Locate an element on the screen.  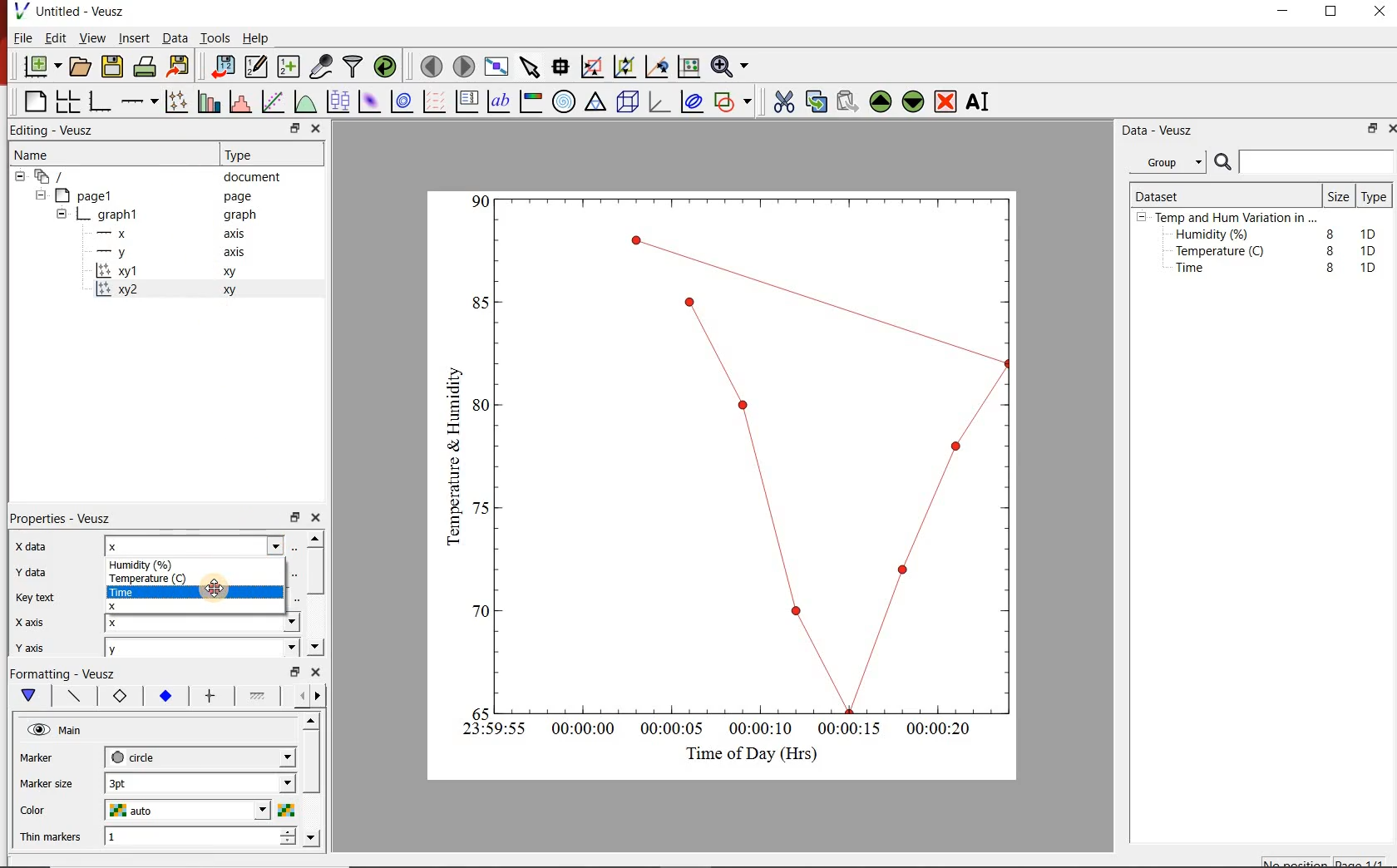
0.2 is located at coordinates (476, 611).